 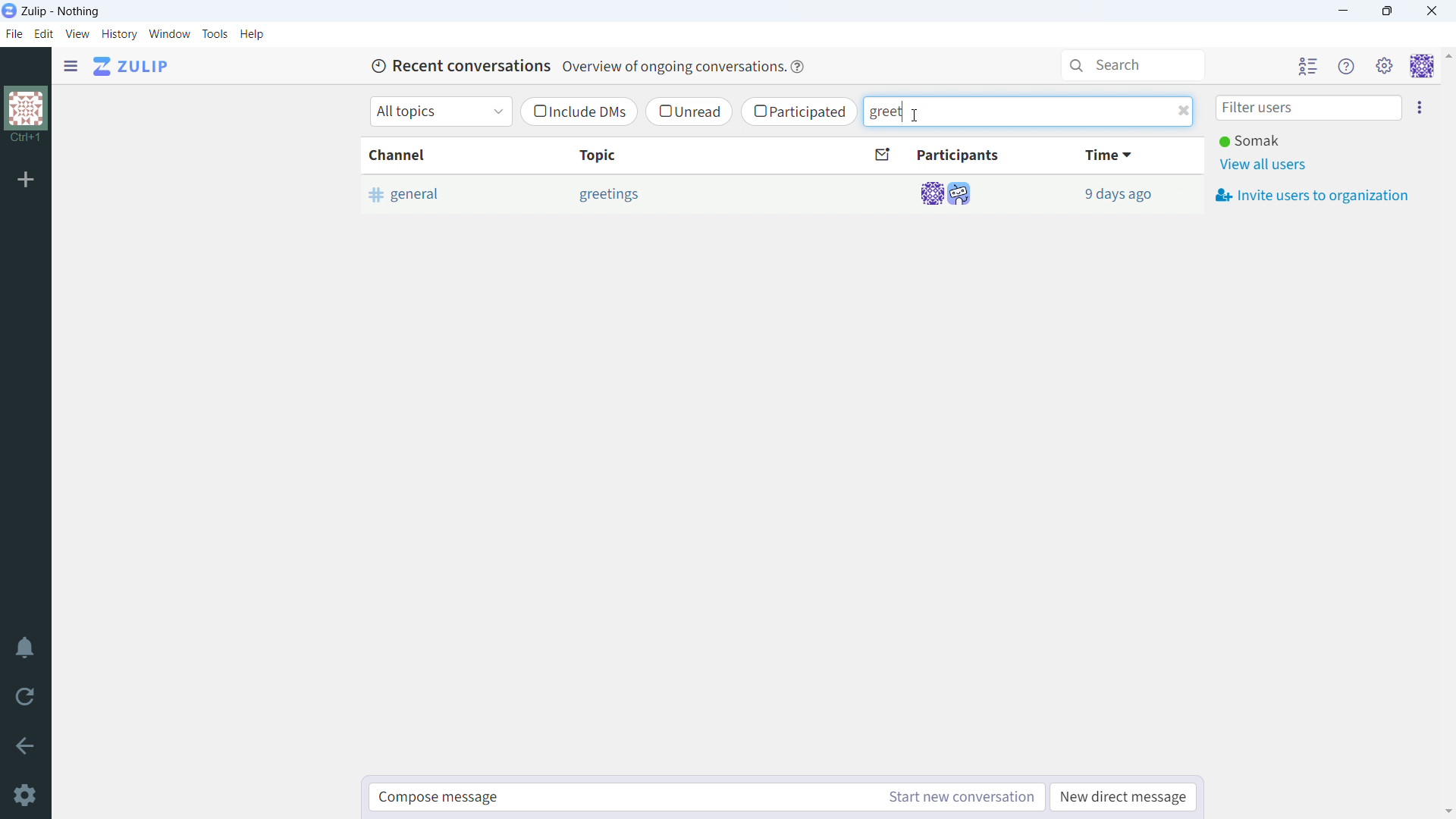 What do you see at coordinates (1248, 140) in the screenshot?
I see `Somak` at bounding box center [1248, 140].